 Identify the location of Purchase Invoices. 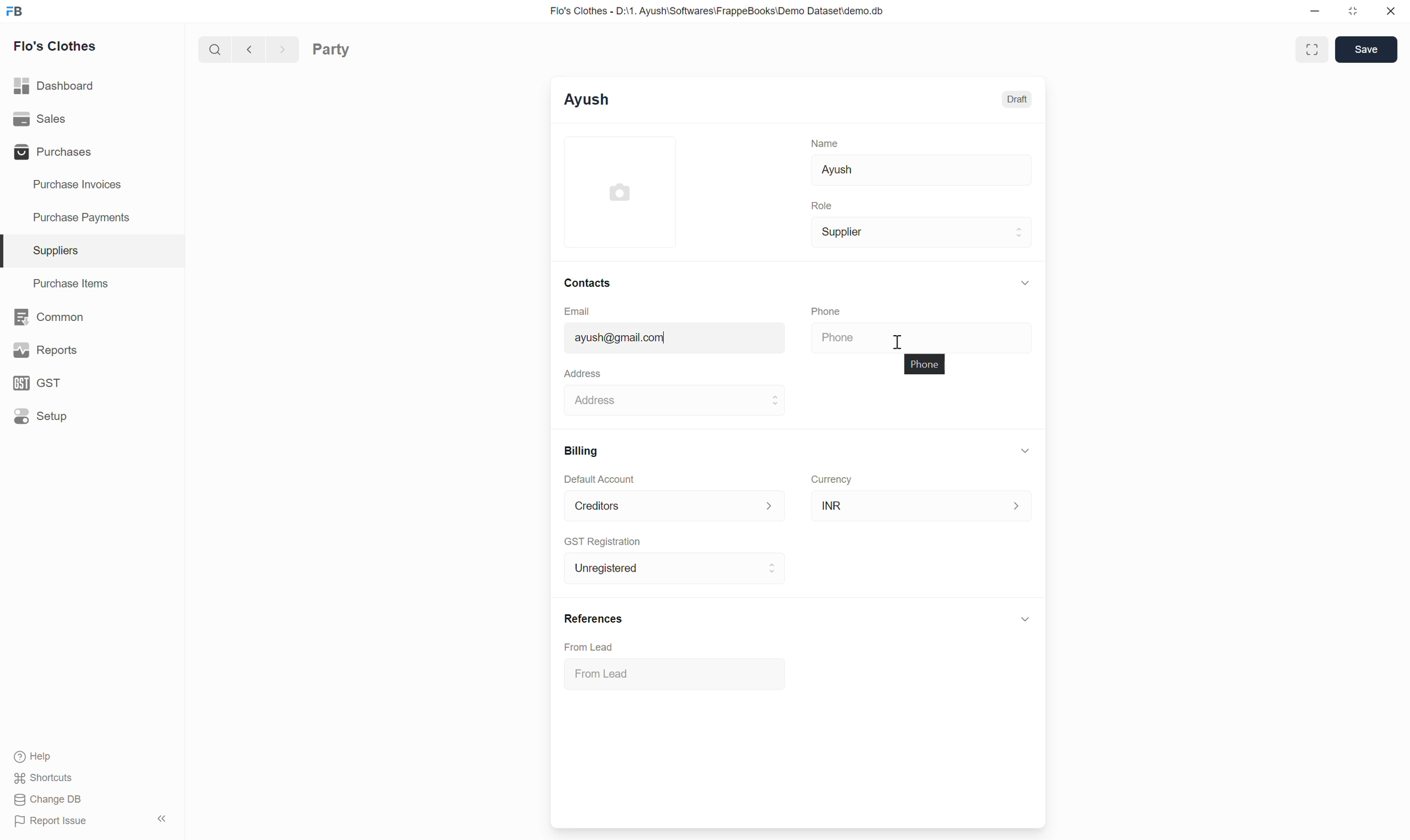
(91, 185).